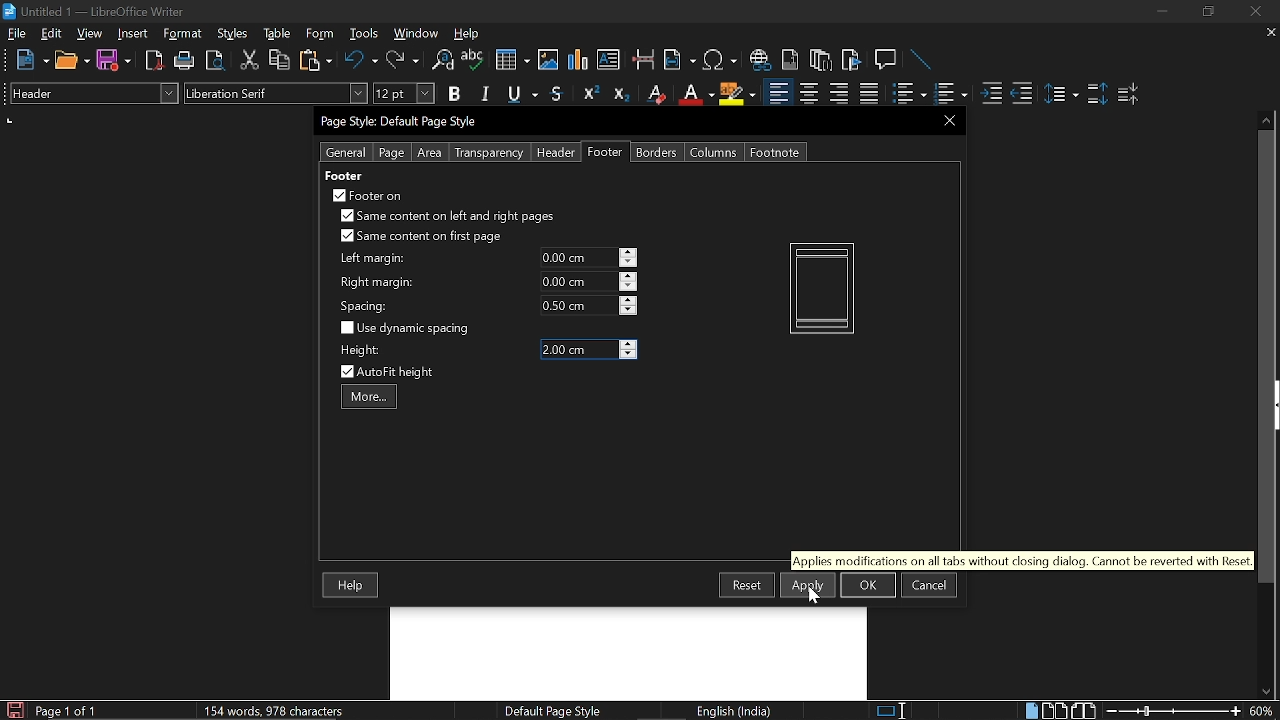 Image resolution: width=1280 pixels, height=720 pixels. What do you see at coordinates (658, 152) in the screenshot?
I see `Borders` at bounding box center [658, 152].